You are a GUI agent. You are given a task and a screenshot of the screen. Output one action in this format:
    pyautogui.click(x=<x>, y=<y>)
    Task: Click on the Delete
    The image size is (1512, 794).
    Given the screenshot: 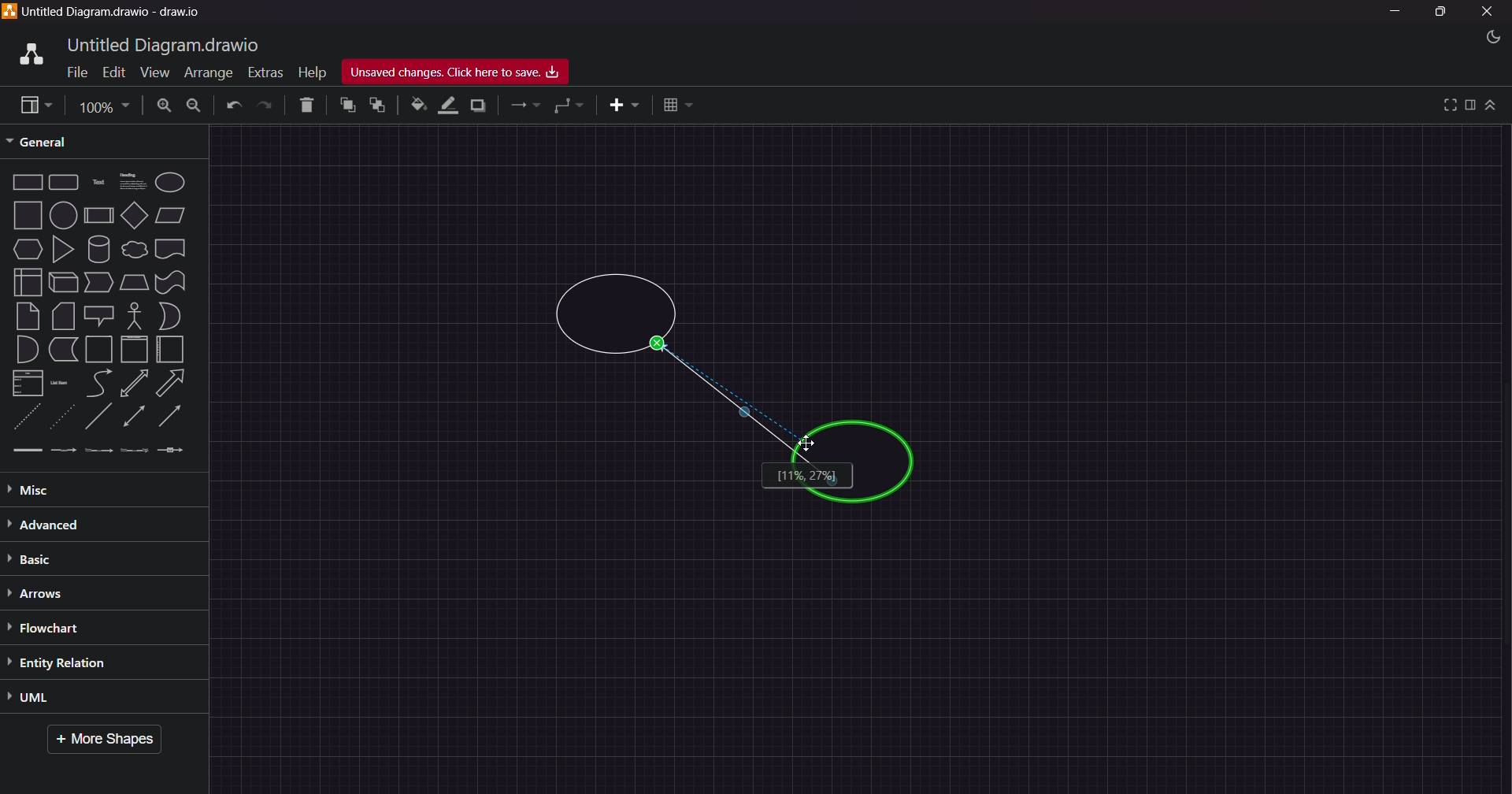 What is the action you would take?
    pyautogui.click(x=303, y=106)
    